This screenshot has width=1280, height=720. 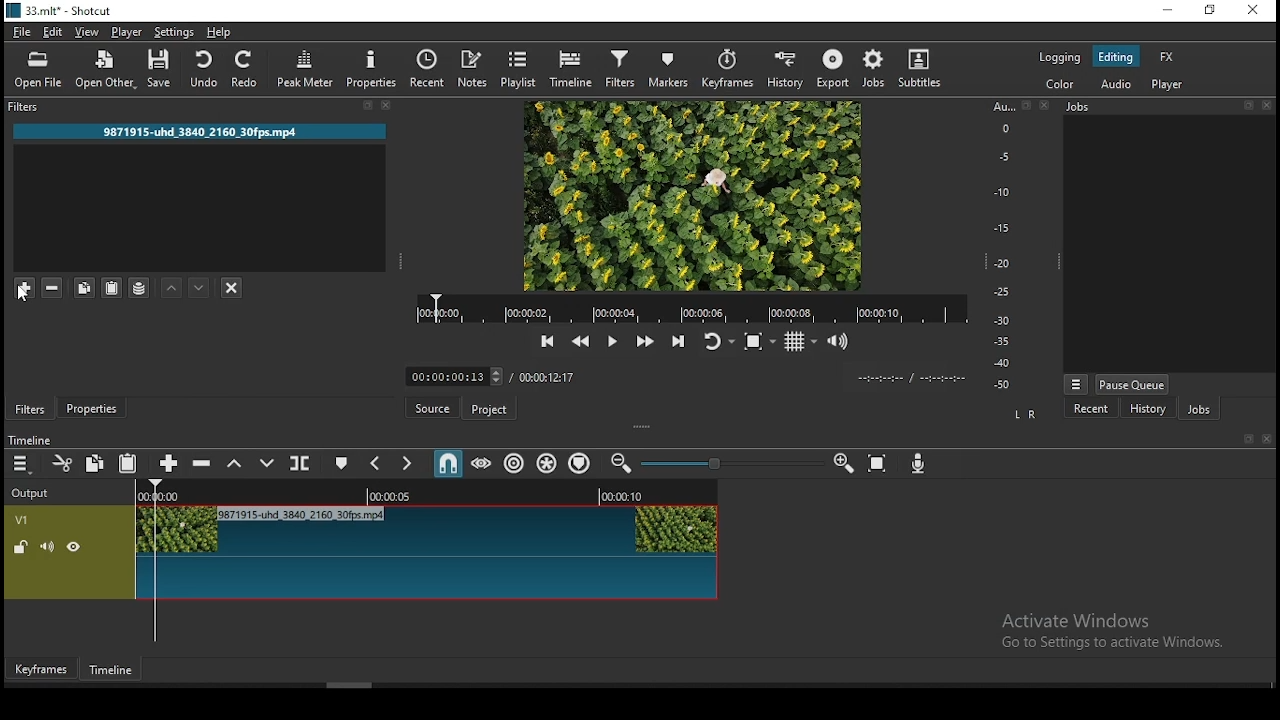 What do you see at coordinates (521, 68) in the screenshot?
I see `playlist` at bounding box center [521, 68].